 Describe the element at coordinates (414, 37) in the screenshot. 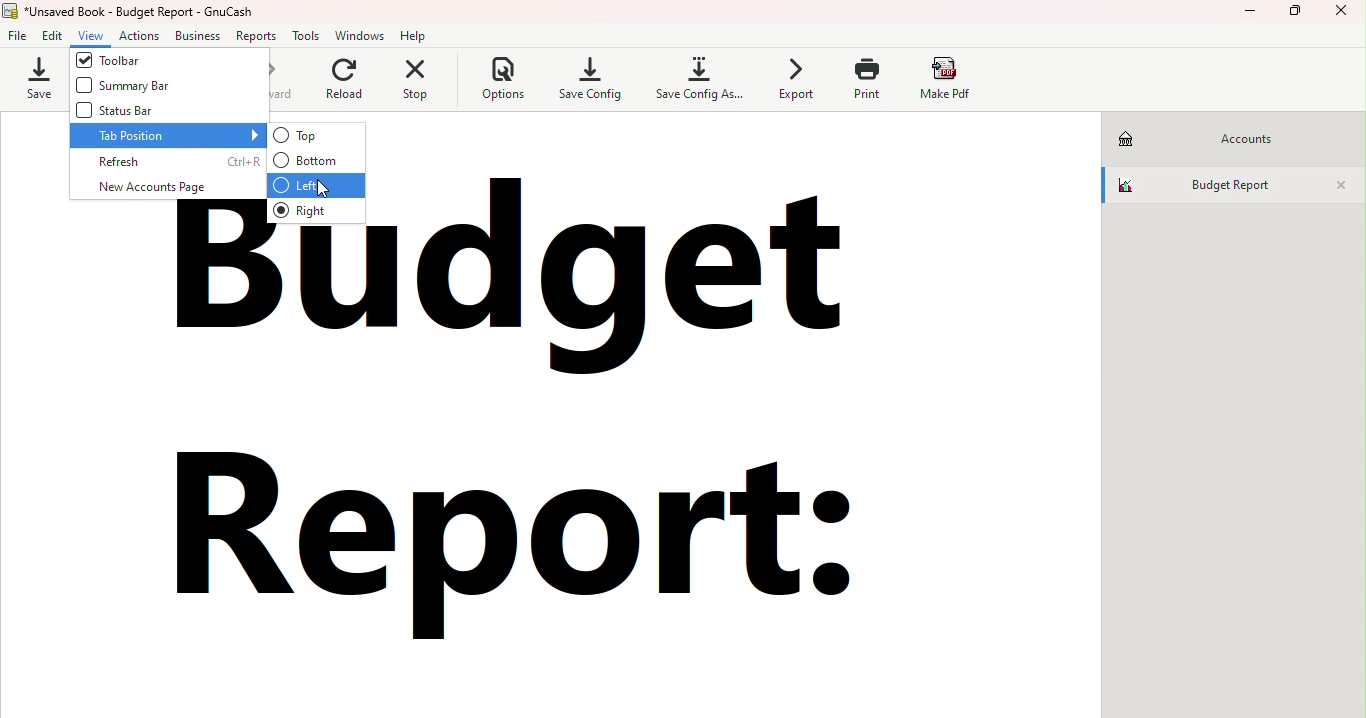

I see `Help` at that location.